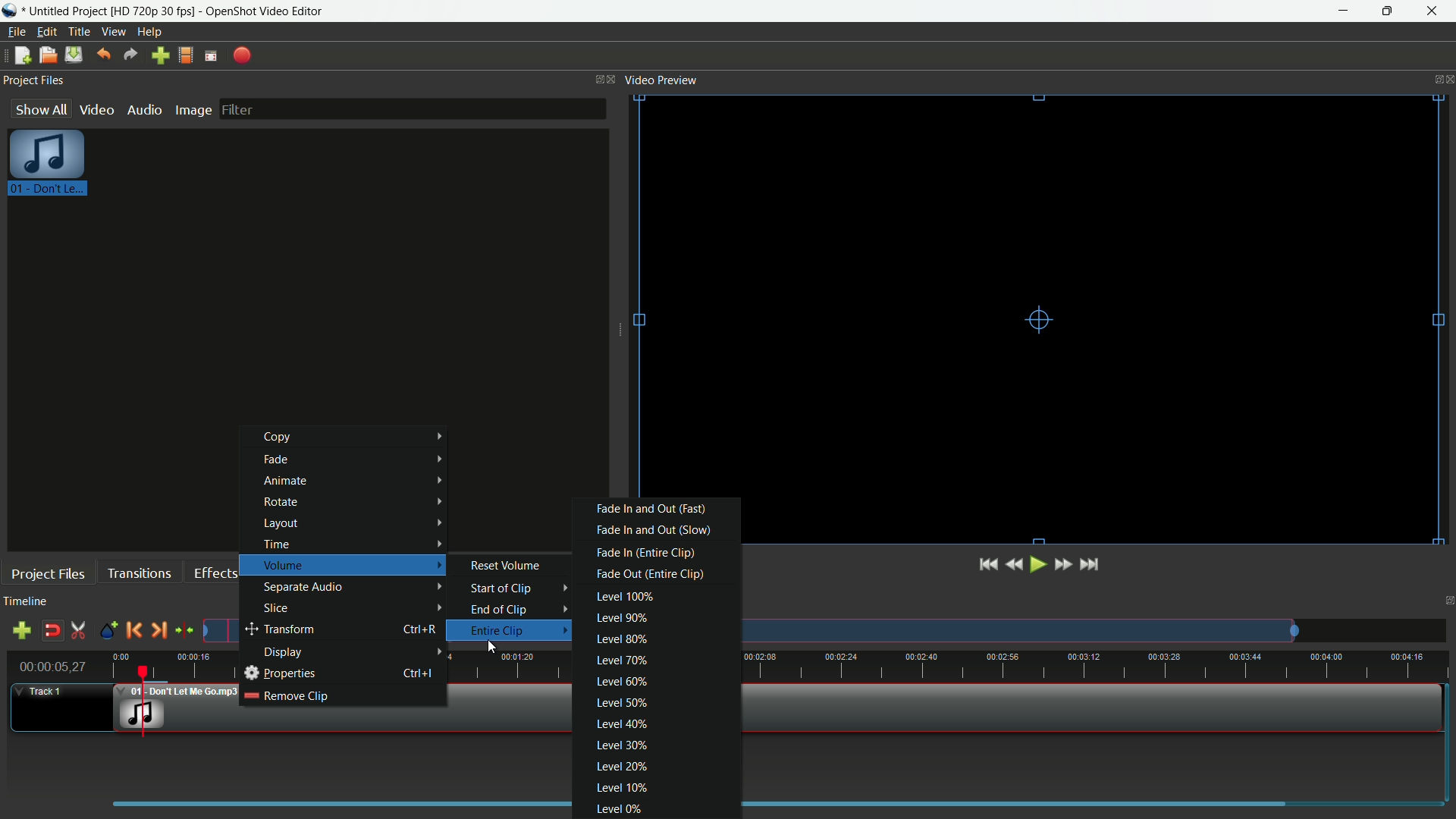 The height and width of the screenshot is (819, 1456). I want to click on next marker, so click(158, 630).